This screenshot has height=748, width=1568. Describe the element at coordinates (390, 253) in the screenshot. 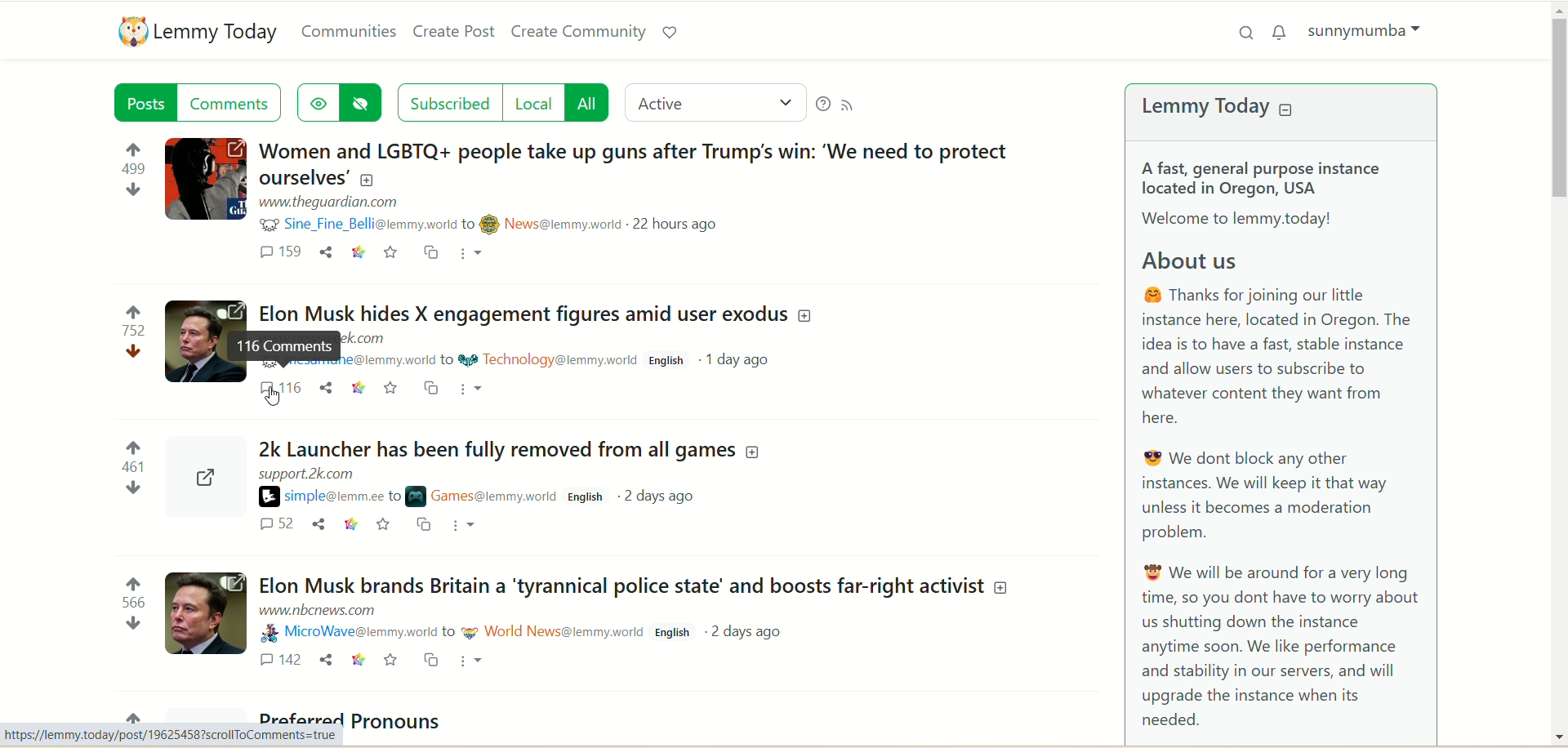

I see `save` at that location.